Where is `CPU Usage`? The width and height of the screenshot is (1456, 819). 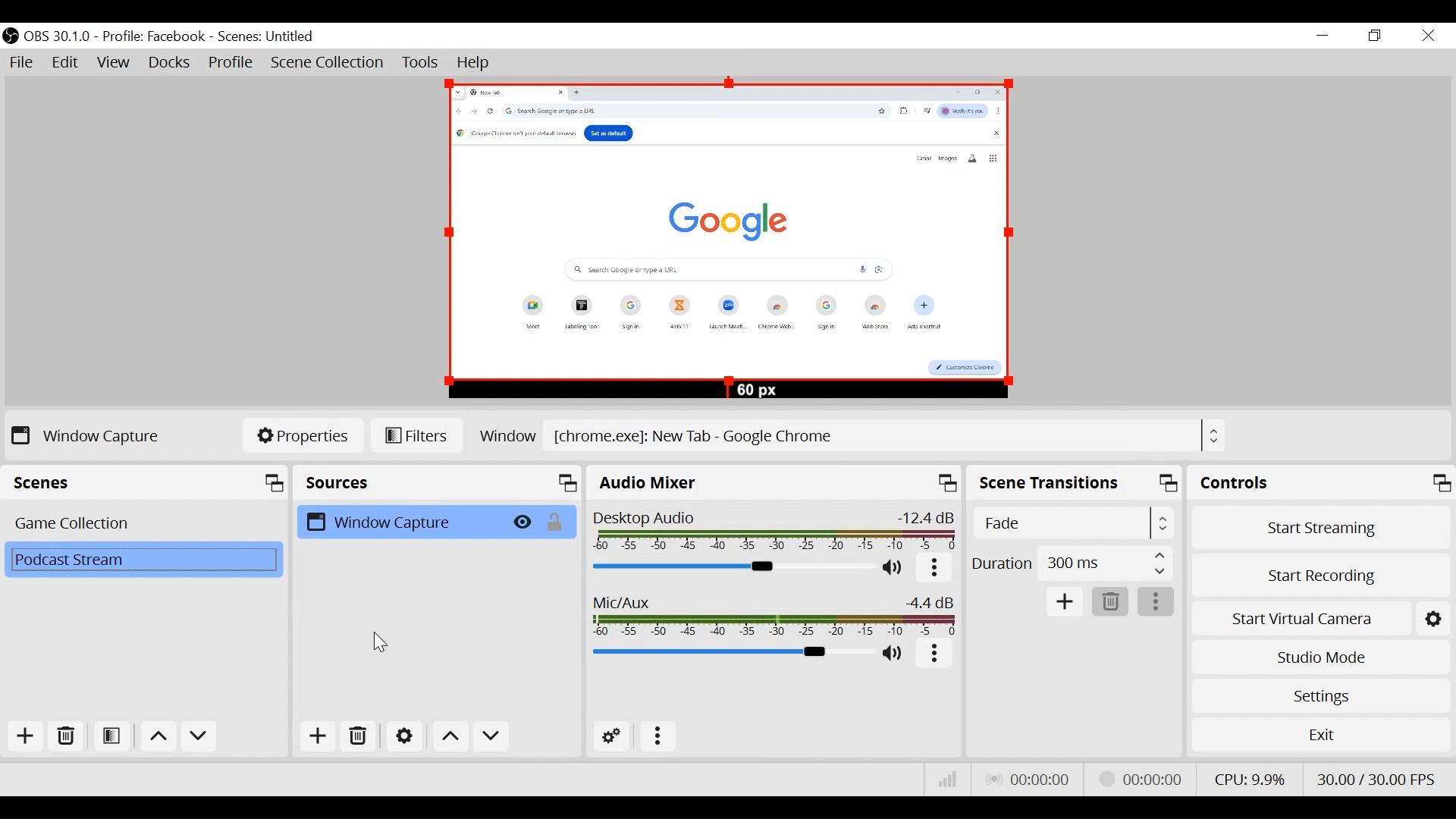 CPU Usage is located at coordinates (1250, 780).